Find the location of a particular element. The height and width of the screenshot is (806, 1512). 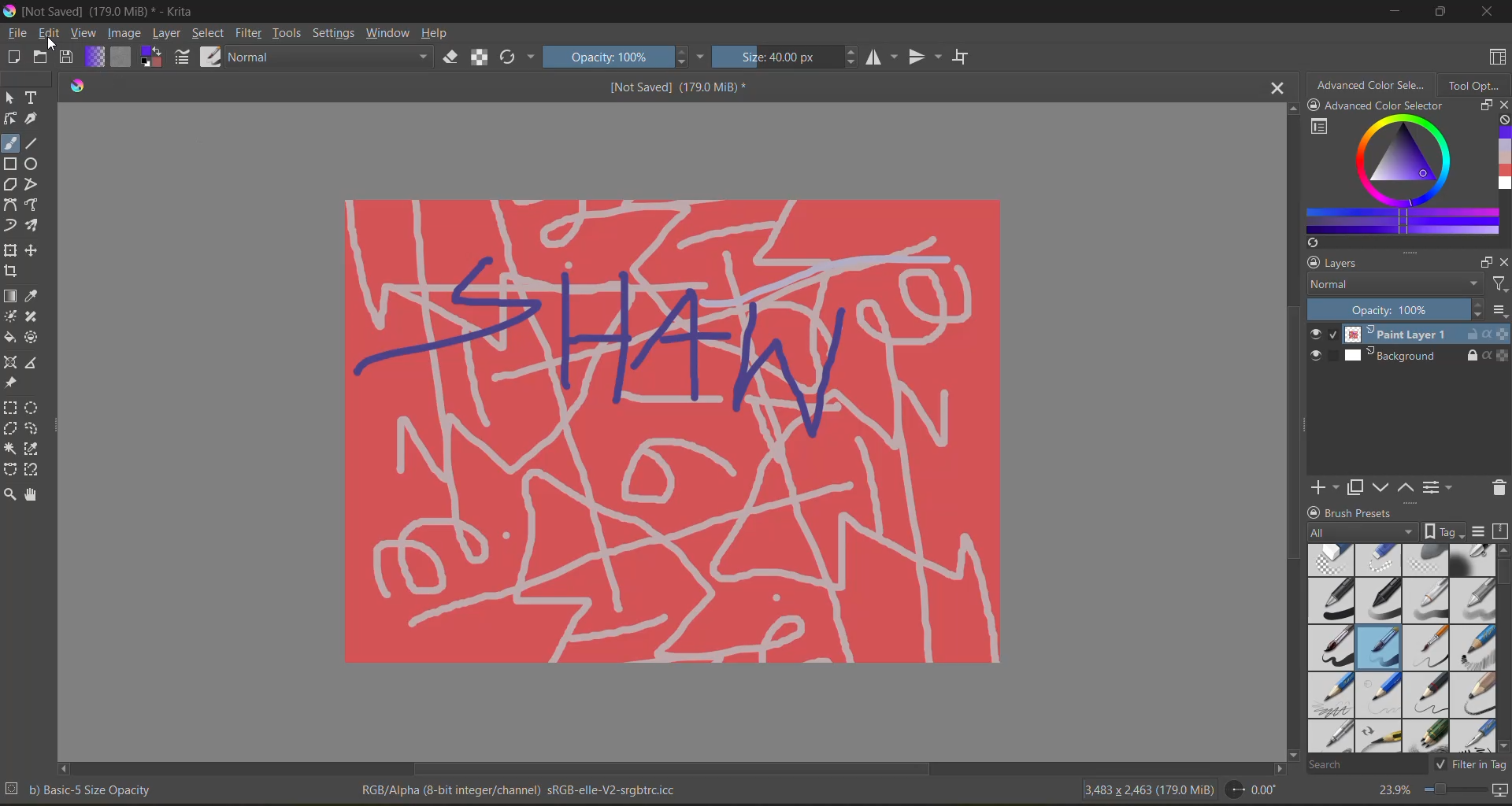

layers is located at coordinates (1343, 263).